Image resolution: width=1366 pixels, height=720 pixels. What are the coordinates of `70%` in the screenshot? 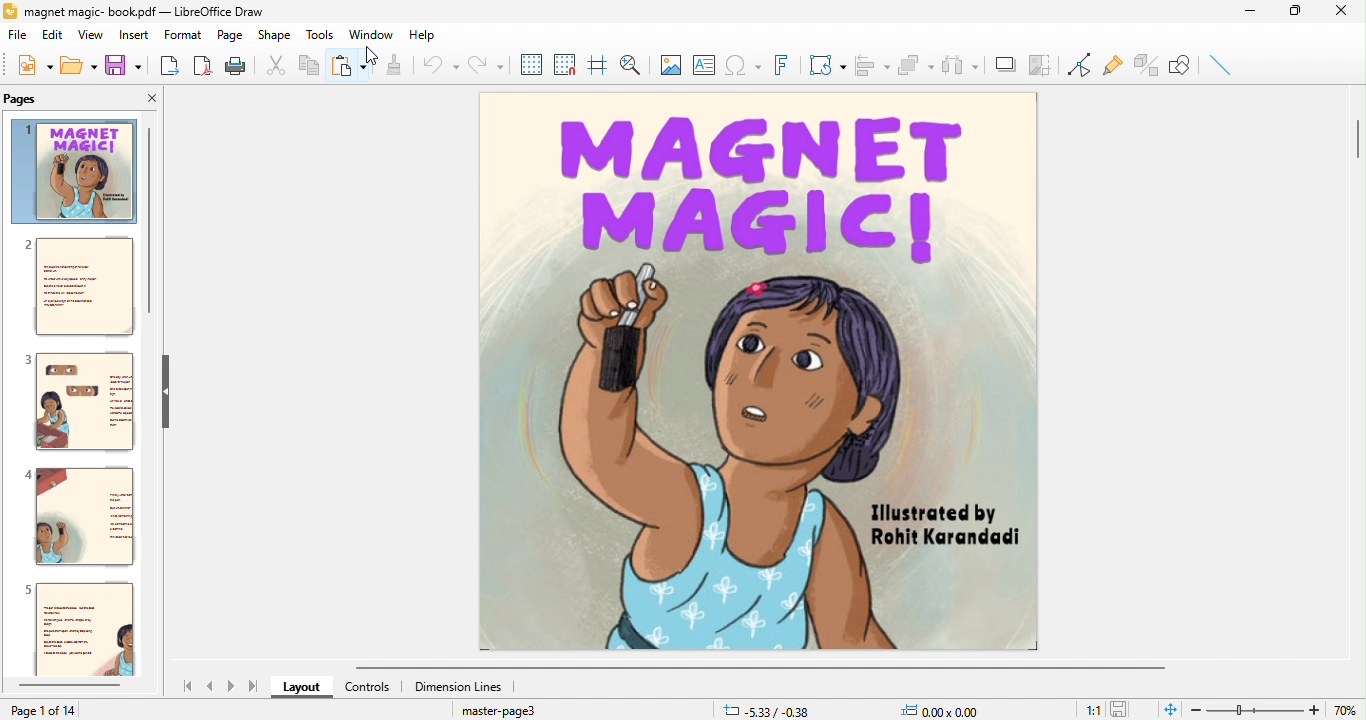 It's located at (1350, 707).